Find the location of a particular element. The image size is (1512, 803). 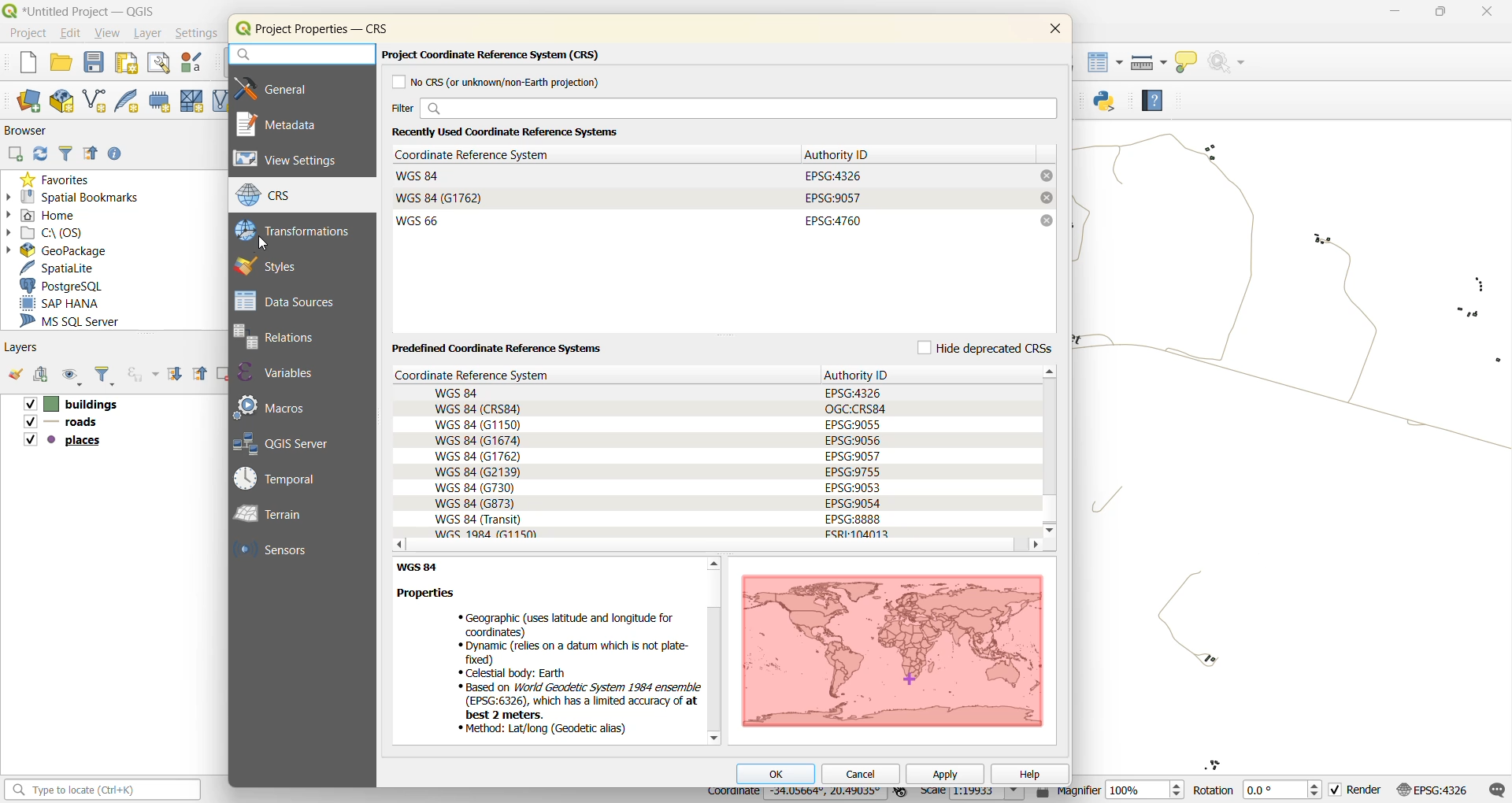

data sources is located at coordinates (288, 301).